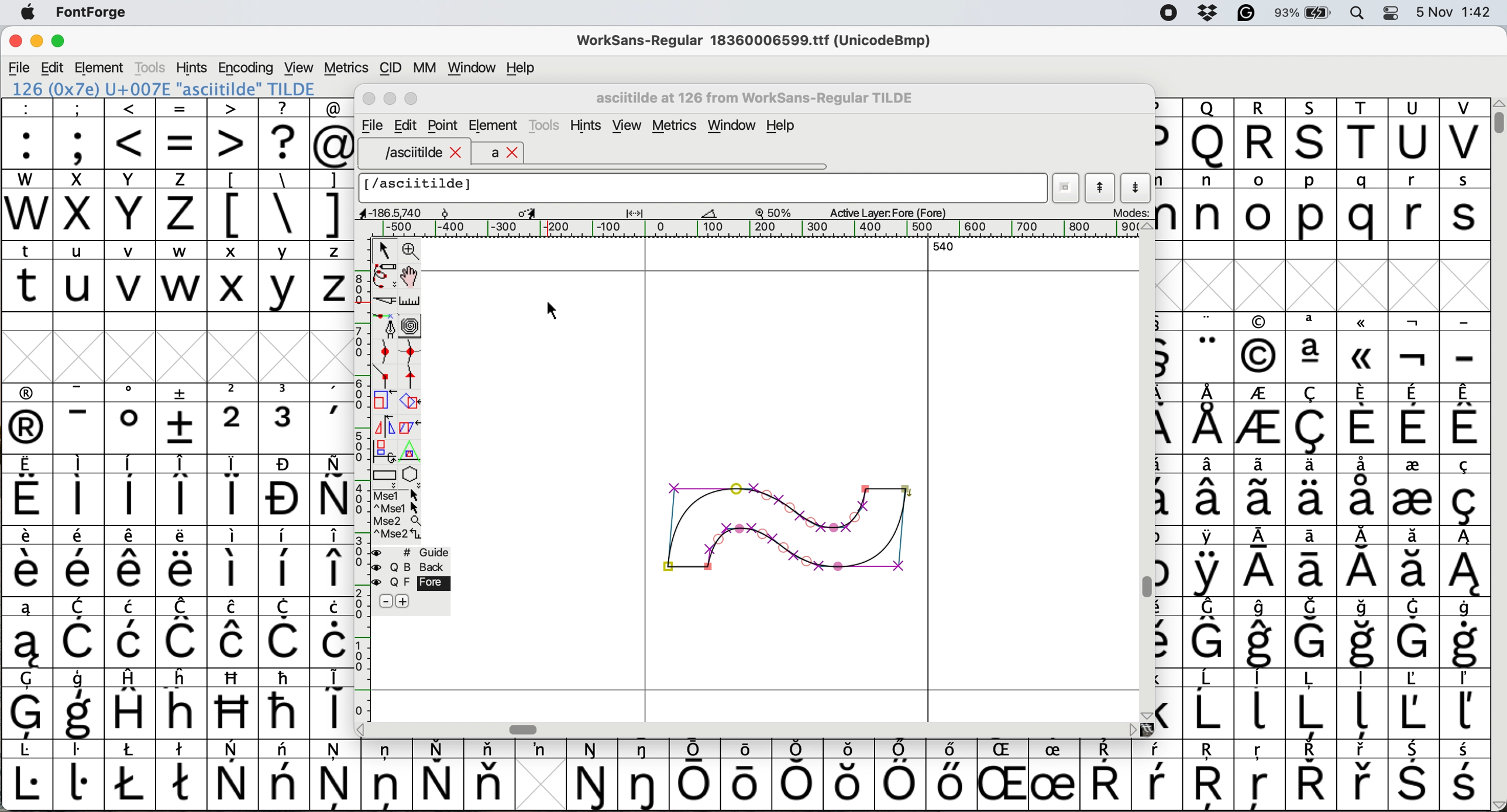 The height and width of the screenshot is (812, 1507). Describe the element at coordinates (284, 562) in the screenshot. I see `symbol` at that location.